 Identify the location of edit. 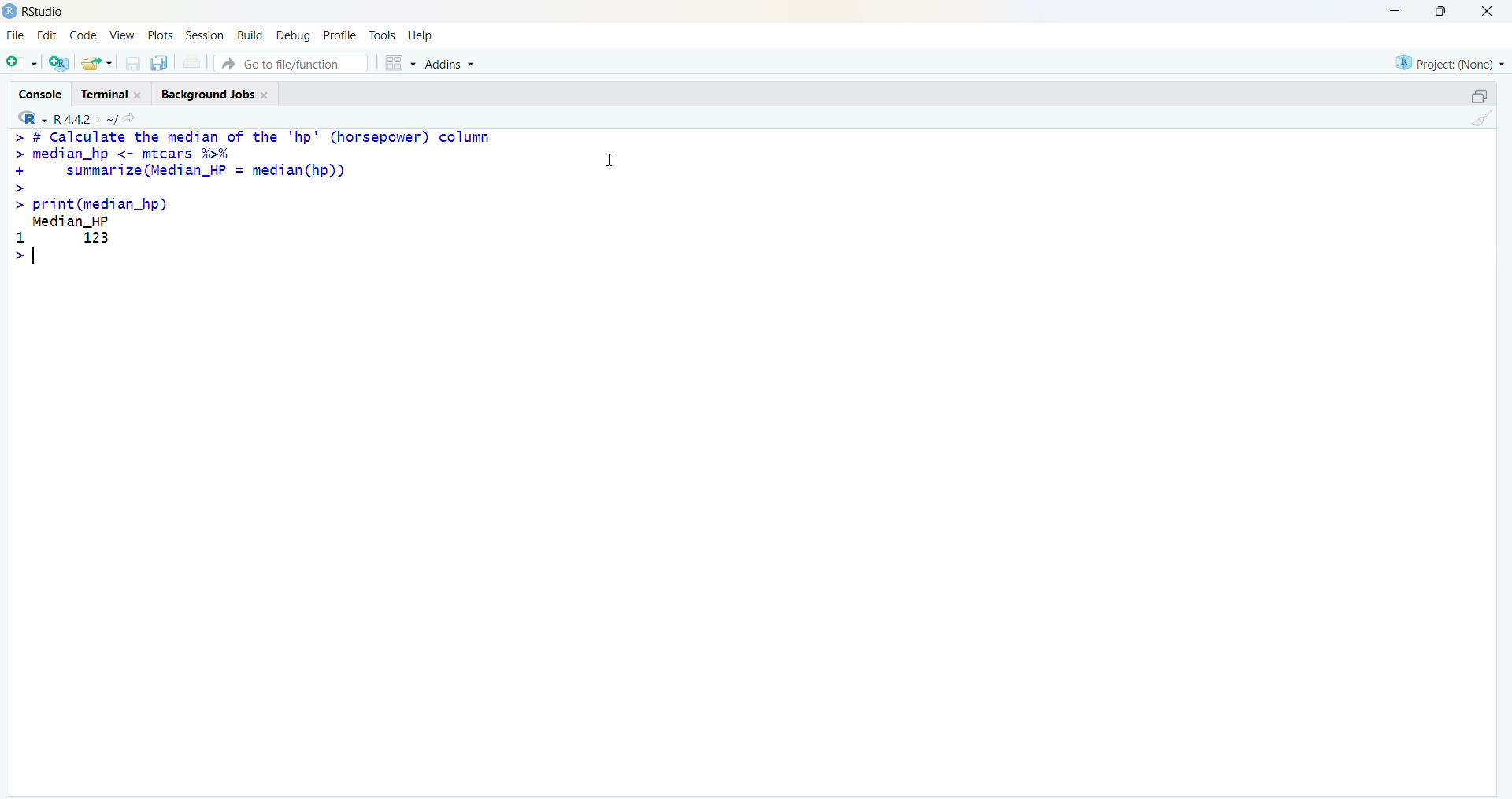
(46, 35).